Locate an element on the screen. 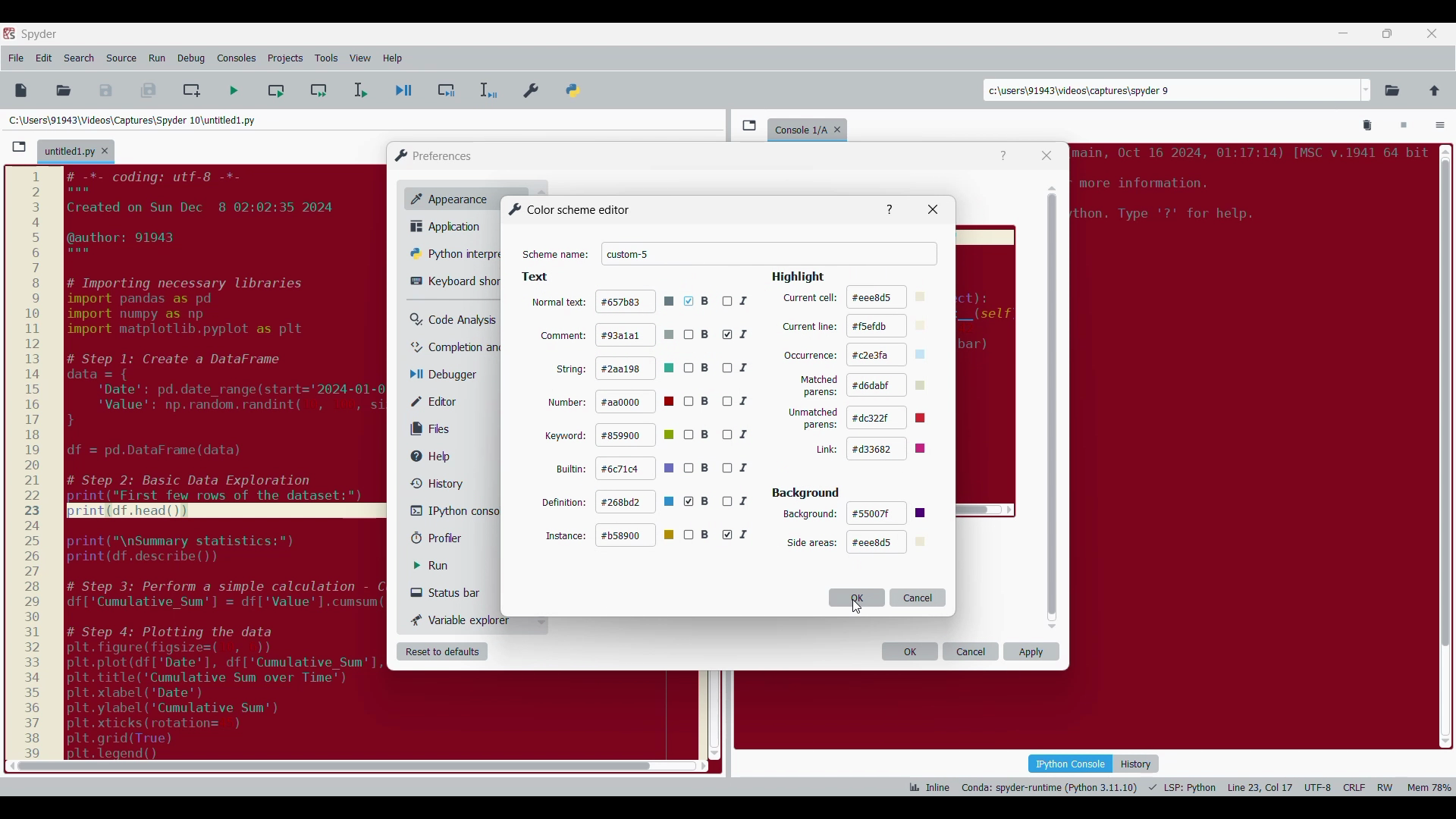 The height and width of the screenshot is (819, 1456). #859900 is located at coordinates (637, 435).